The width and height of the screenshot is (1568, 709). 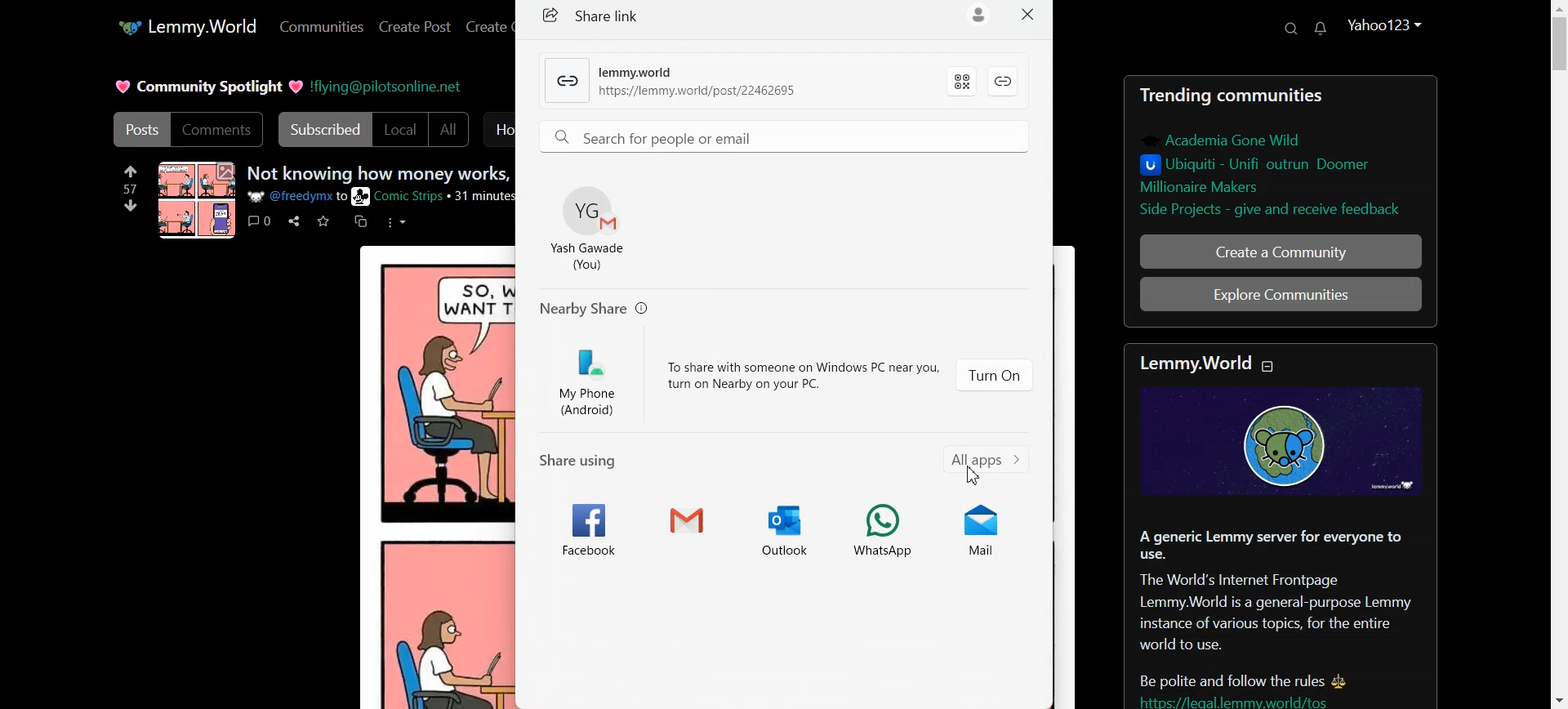 I want to click on Cursor, so click(x=973, y=474).